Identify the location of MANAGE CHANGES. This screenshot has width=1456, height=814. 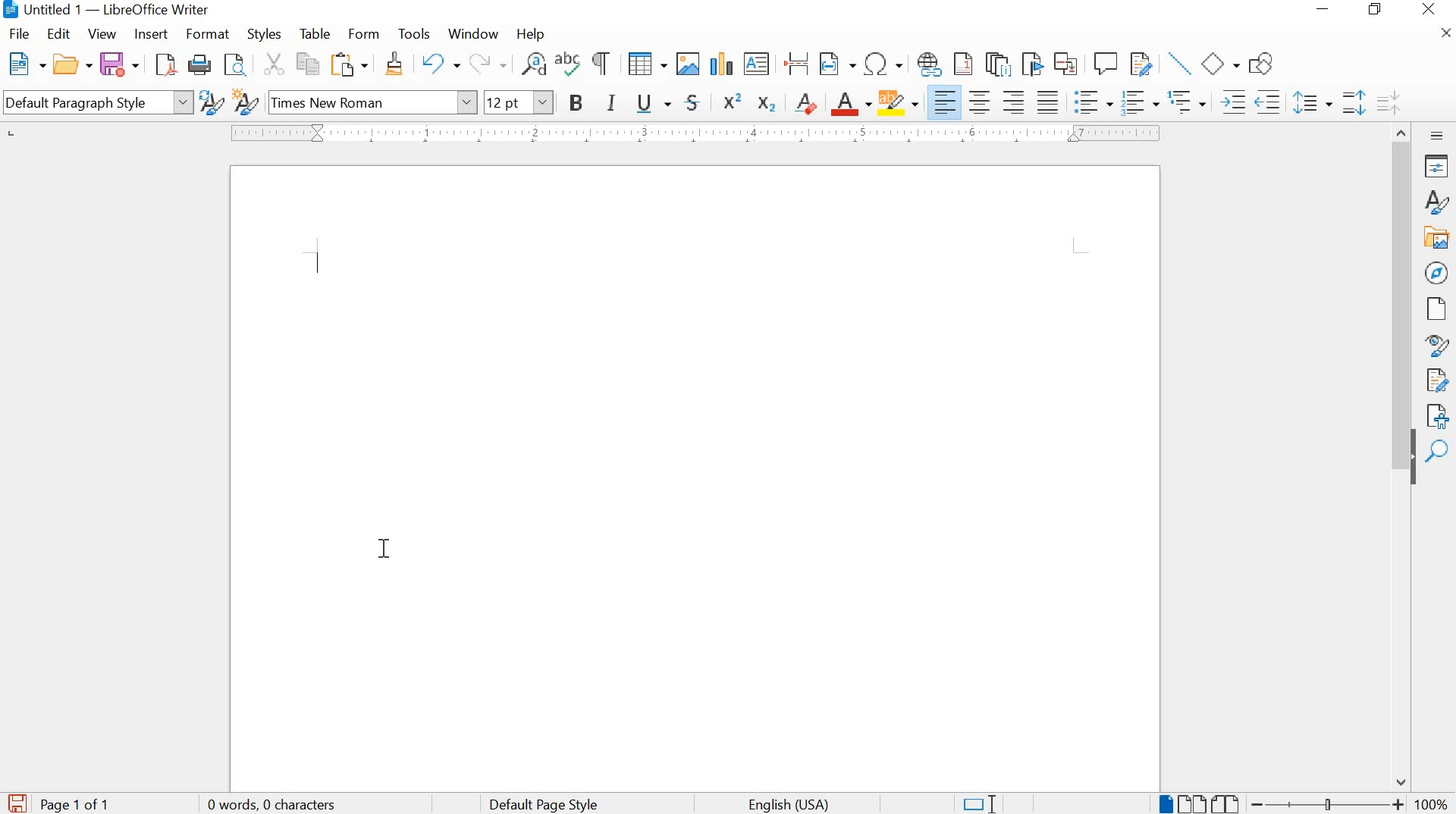
(1439, 379).